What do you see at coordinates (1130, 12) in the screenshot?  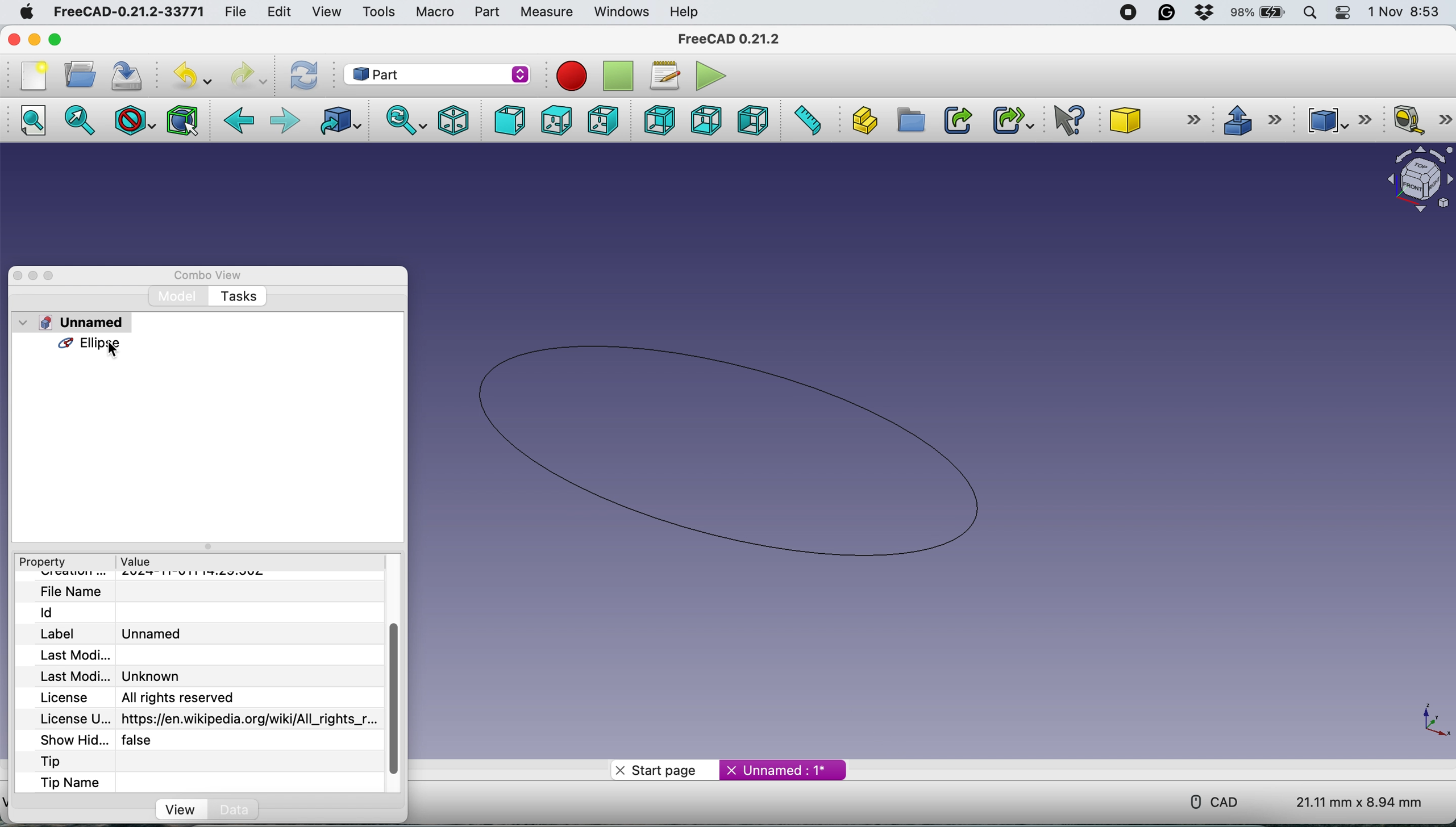 I see `screen recorder` at bounding box center [1130, 12].